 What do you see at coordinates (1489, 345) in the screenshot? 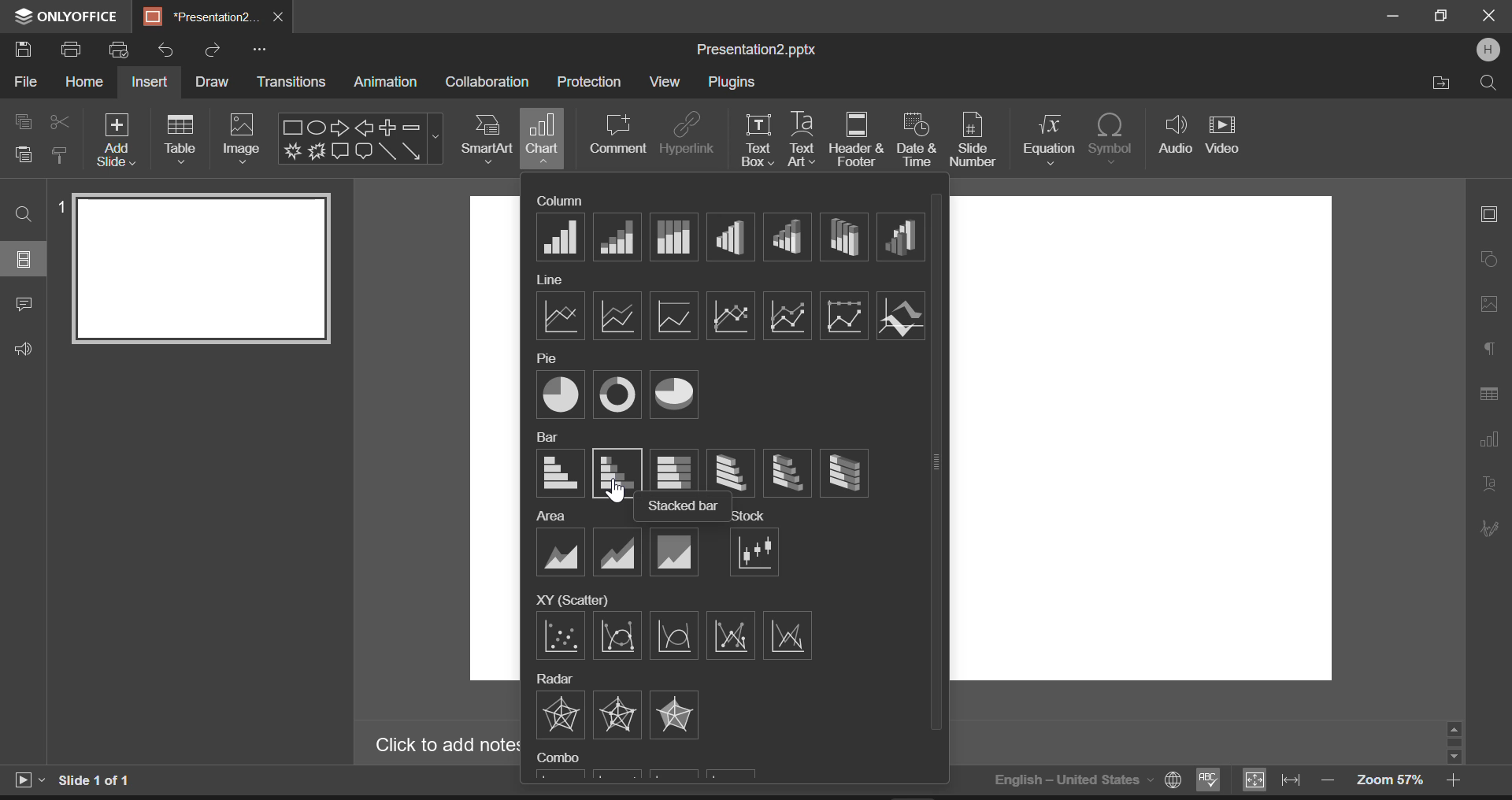
I see `Paragraph Settings` at bounding box center [1489, 345].